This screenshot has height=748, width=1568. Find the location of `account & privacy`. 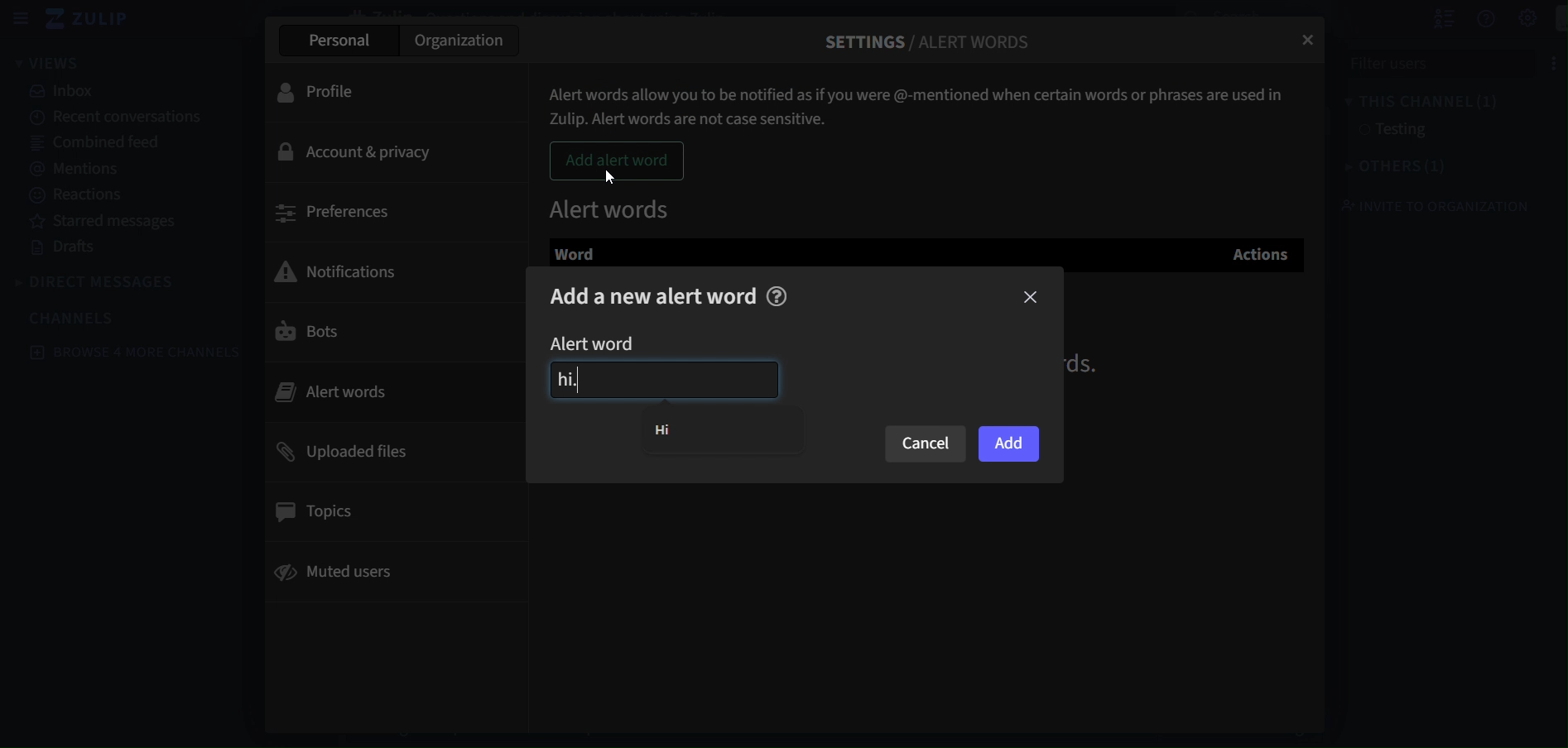

account & privacy is located at coordinates (362, 152).